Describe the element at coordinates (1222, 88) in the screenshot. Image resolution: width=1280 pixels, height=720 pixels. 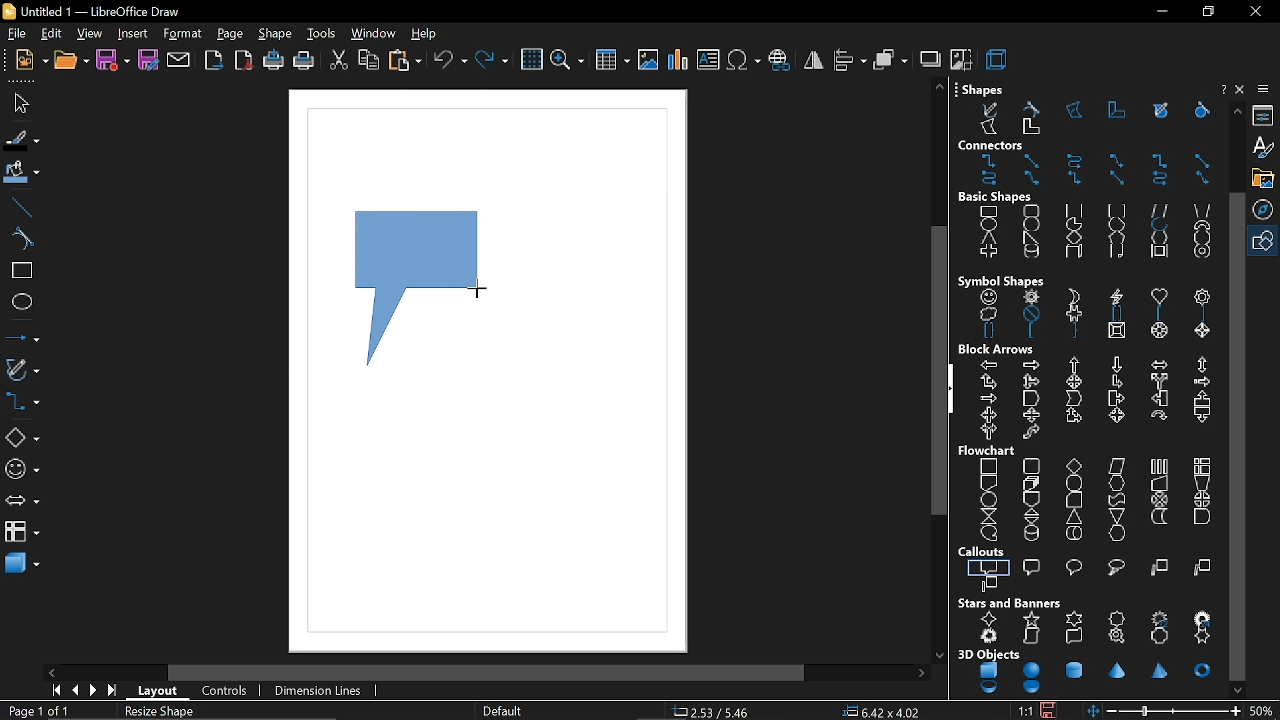
I see `help` at that location.